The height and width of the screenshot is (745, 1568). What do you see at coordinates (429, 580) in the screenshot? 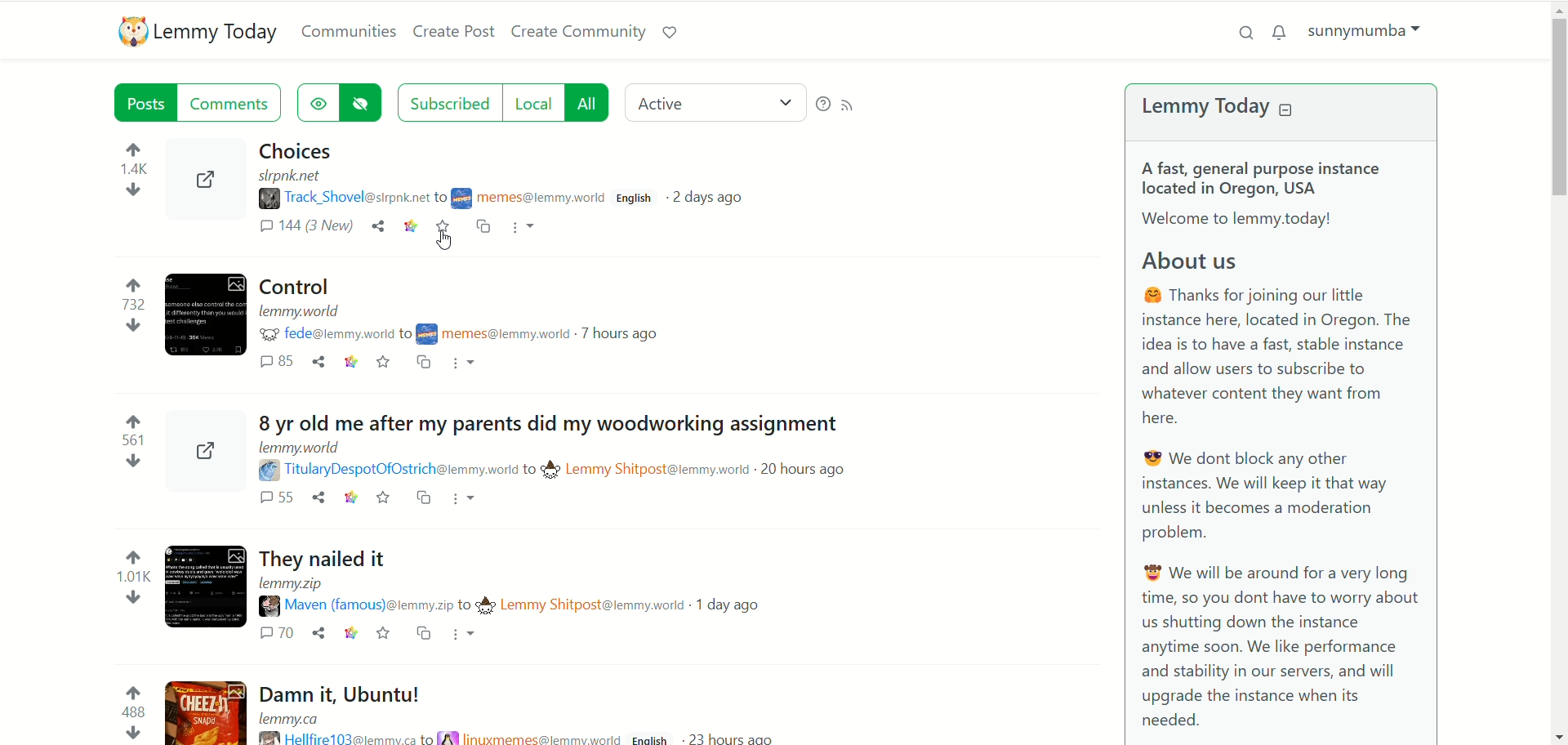
I see `Post on "They nailed it"` at bounding box center [429, 580].